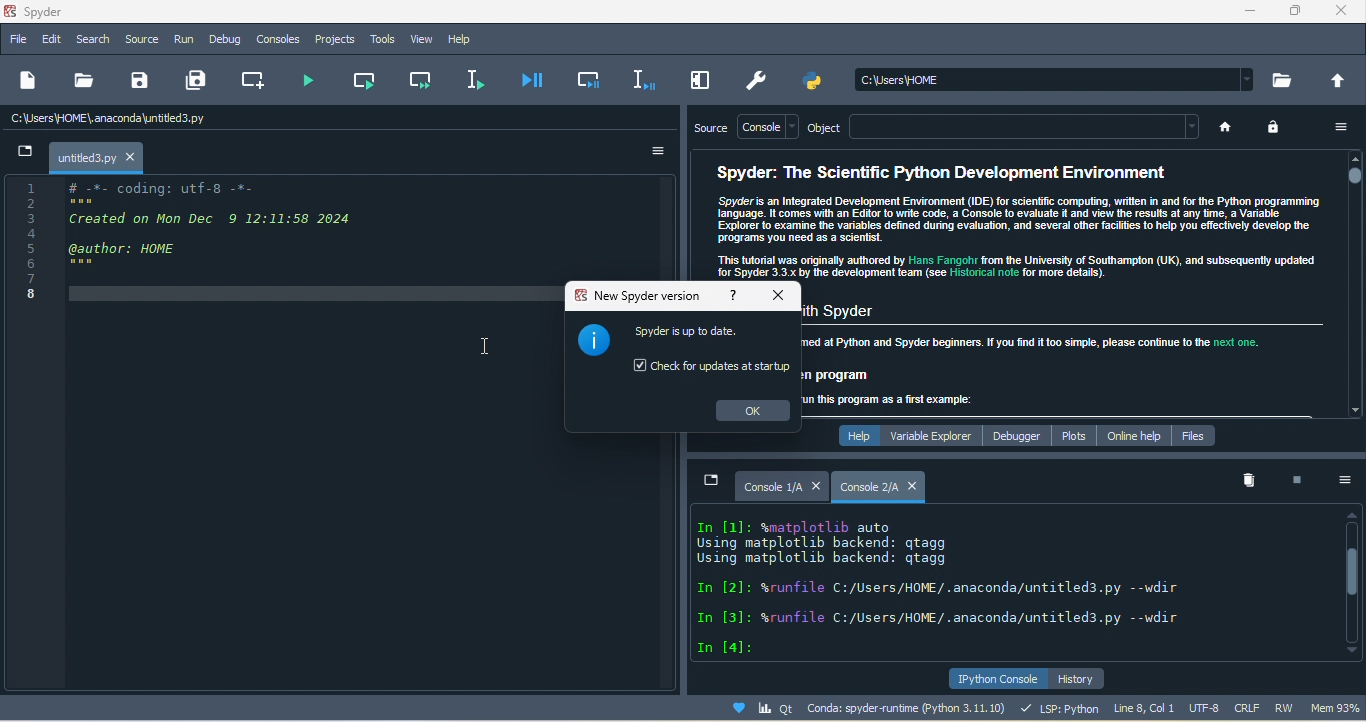 The image size is (1366, 722). Describe the element at coordinates (1354, 582) in the screenshot. I see `vertical scroll bar` at that location.